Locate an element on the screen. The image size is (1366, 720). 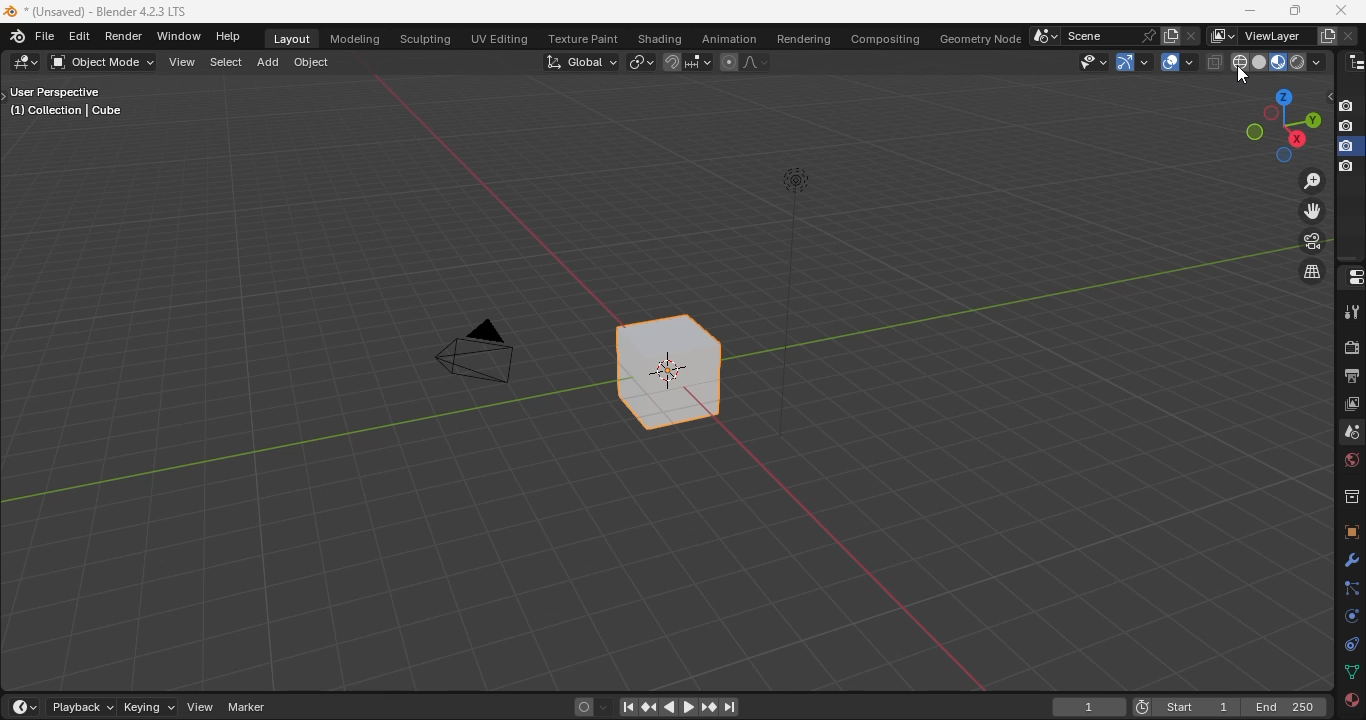
select is located at coordinates (227, 63).